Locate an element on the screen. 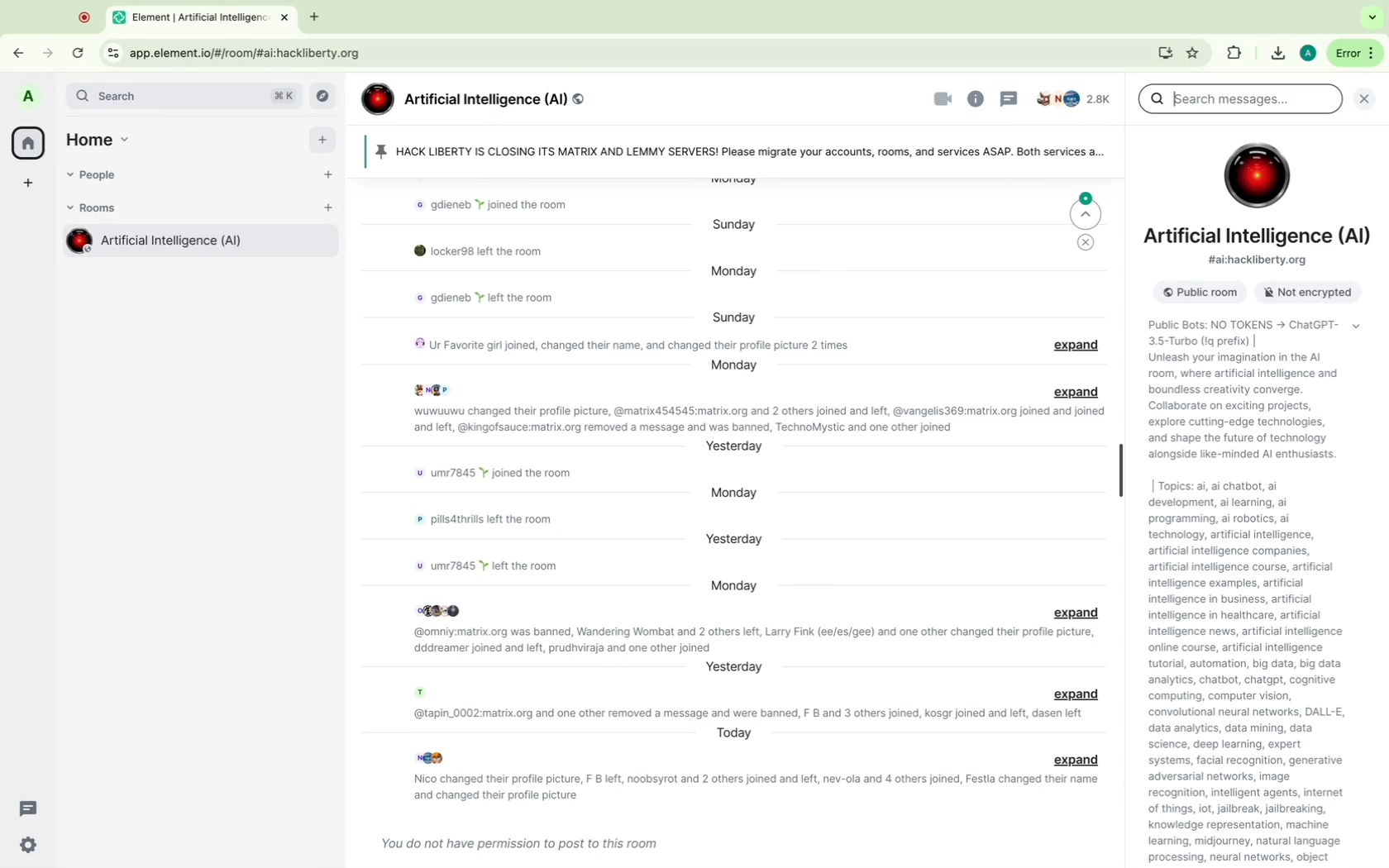 The width and height of the screenshot is (1389, 868). new tab is located at coordinates (313, 18).